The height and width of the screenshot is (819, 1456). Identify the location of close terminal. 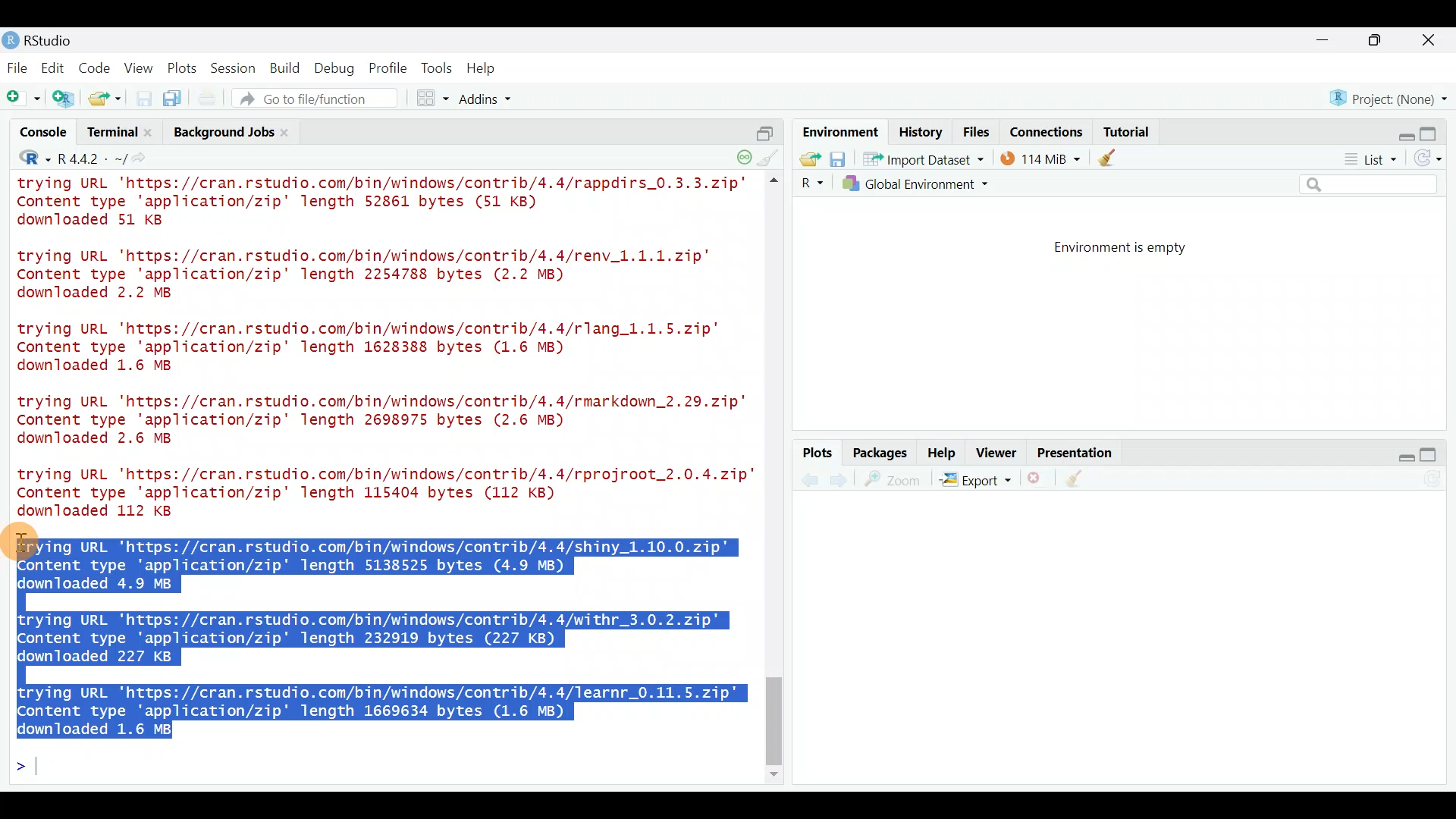
(151, 133).